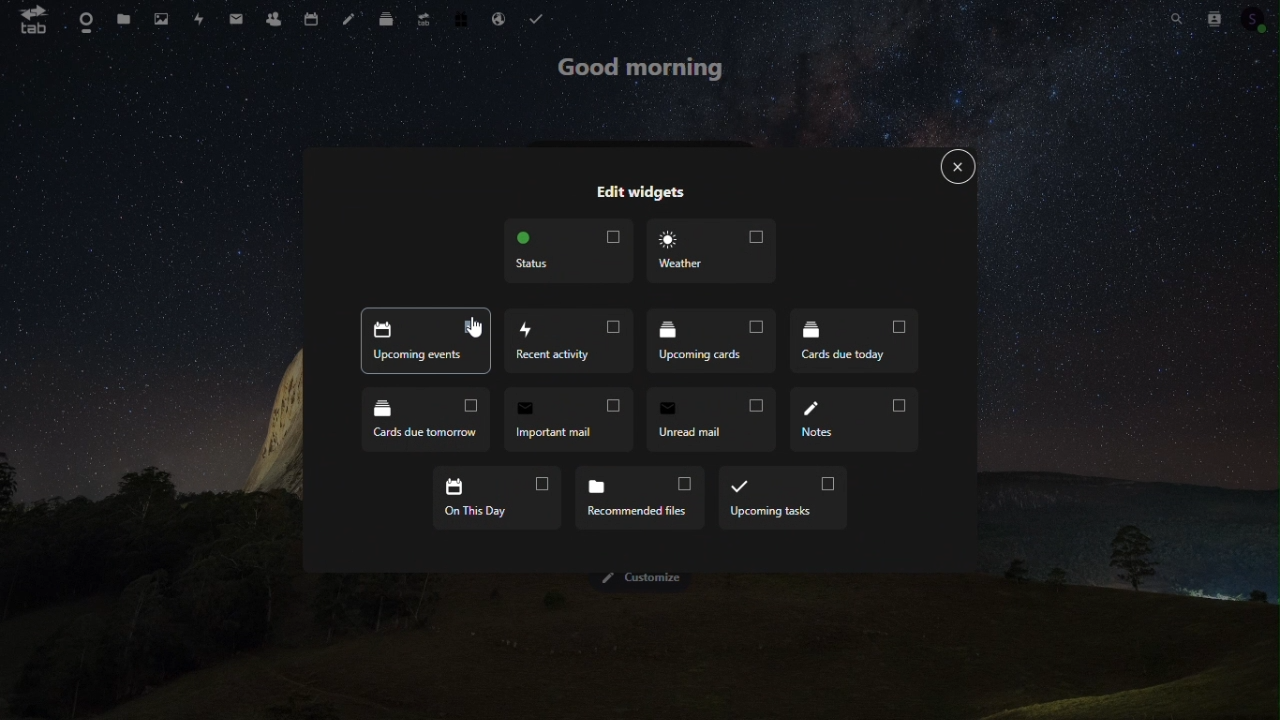 This screenshot has width=1280, height=720. I want to click on Notes, so click(855, 420).